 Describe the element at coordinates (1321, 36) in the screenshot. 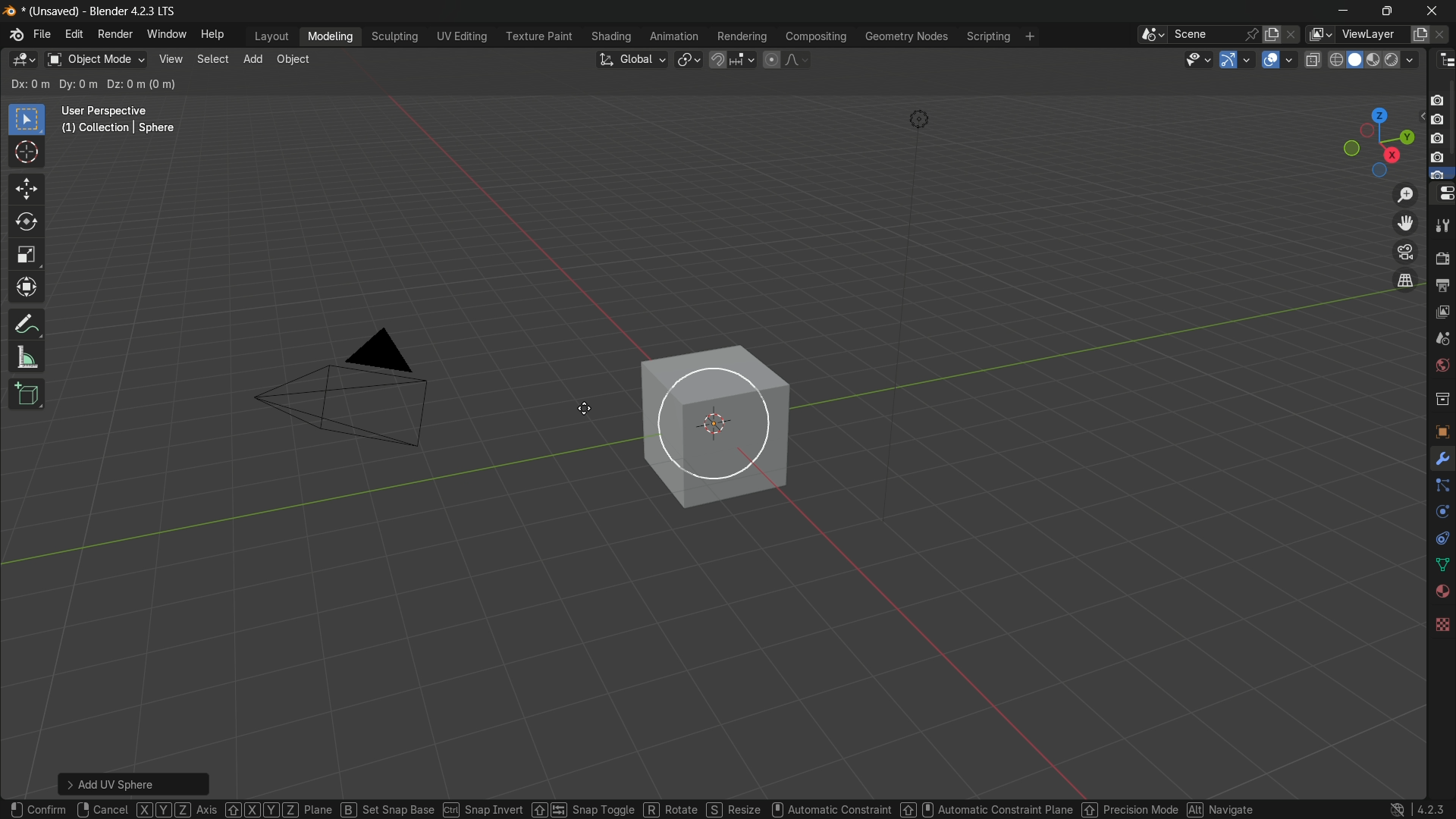

I see `browse views` at that location.